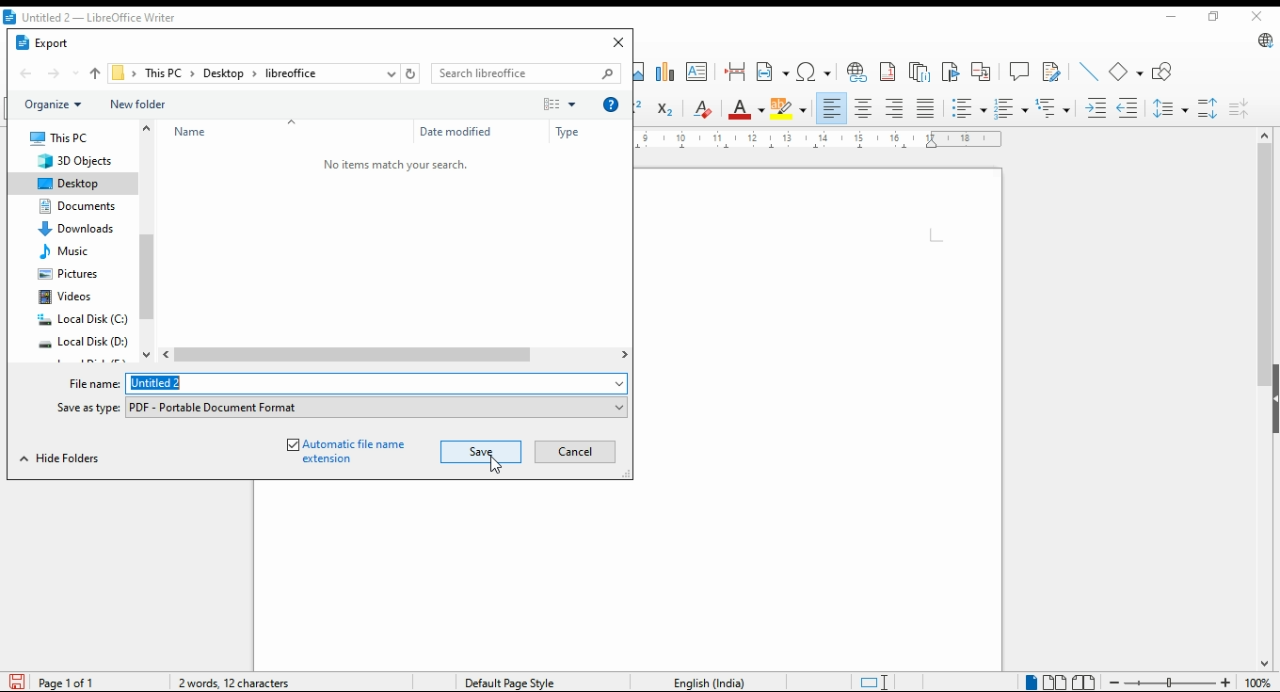  Describe the element at coordinates (1213, 17) in the screenshot. I see `restore` at that location.